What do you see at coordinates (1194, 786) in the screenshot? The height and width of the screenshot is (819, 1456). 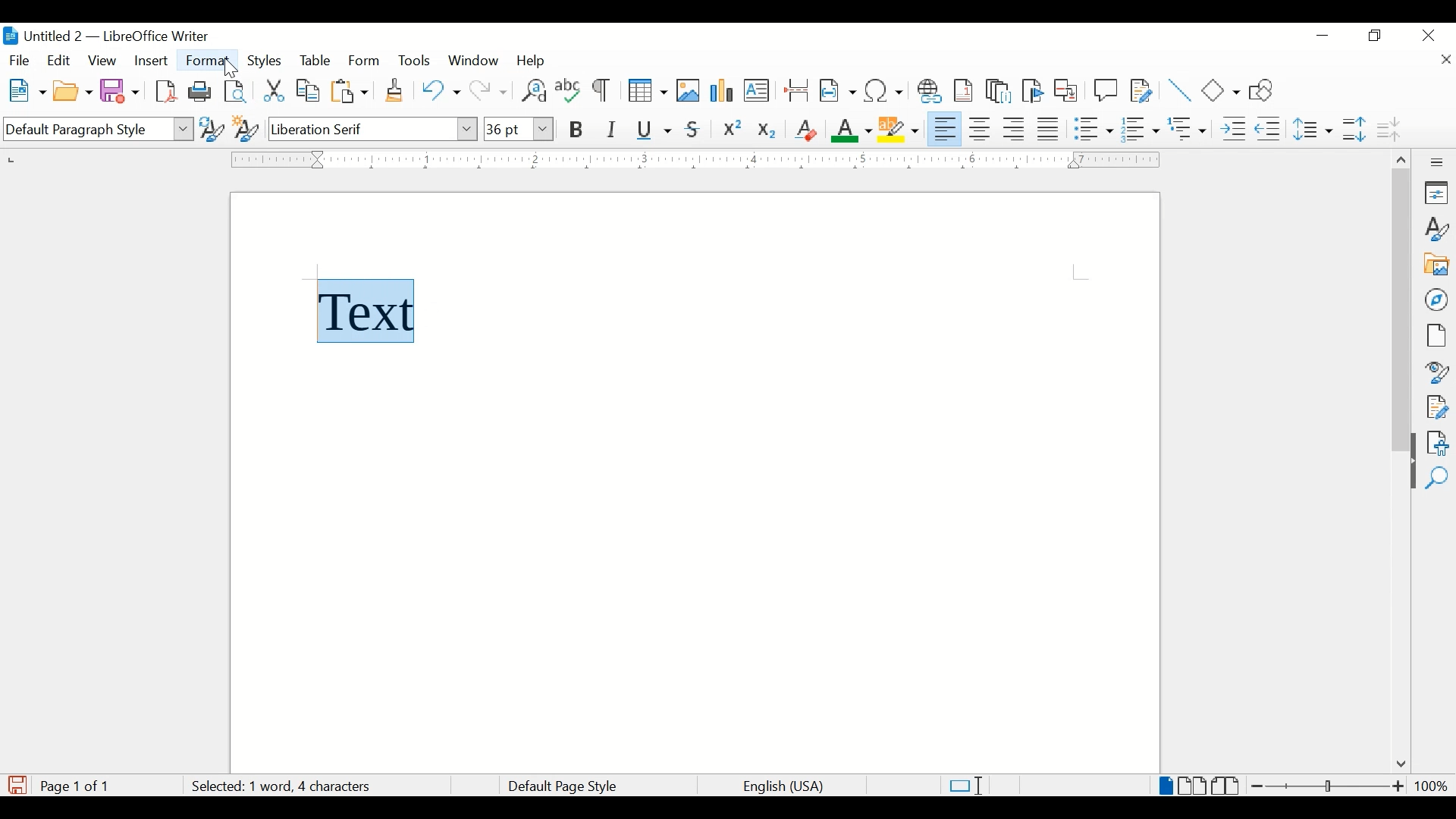 I see `multi page view` at bounding box center [1194, 786].